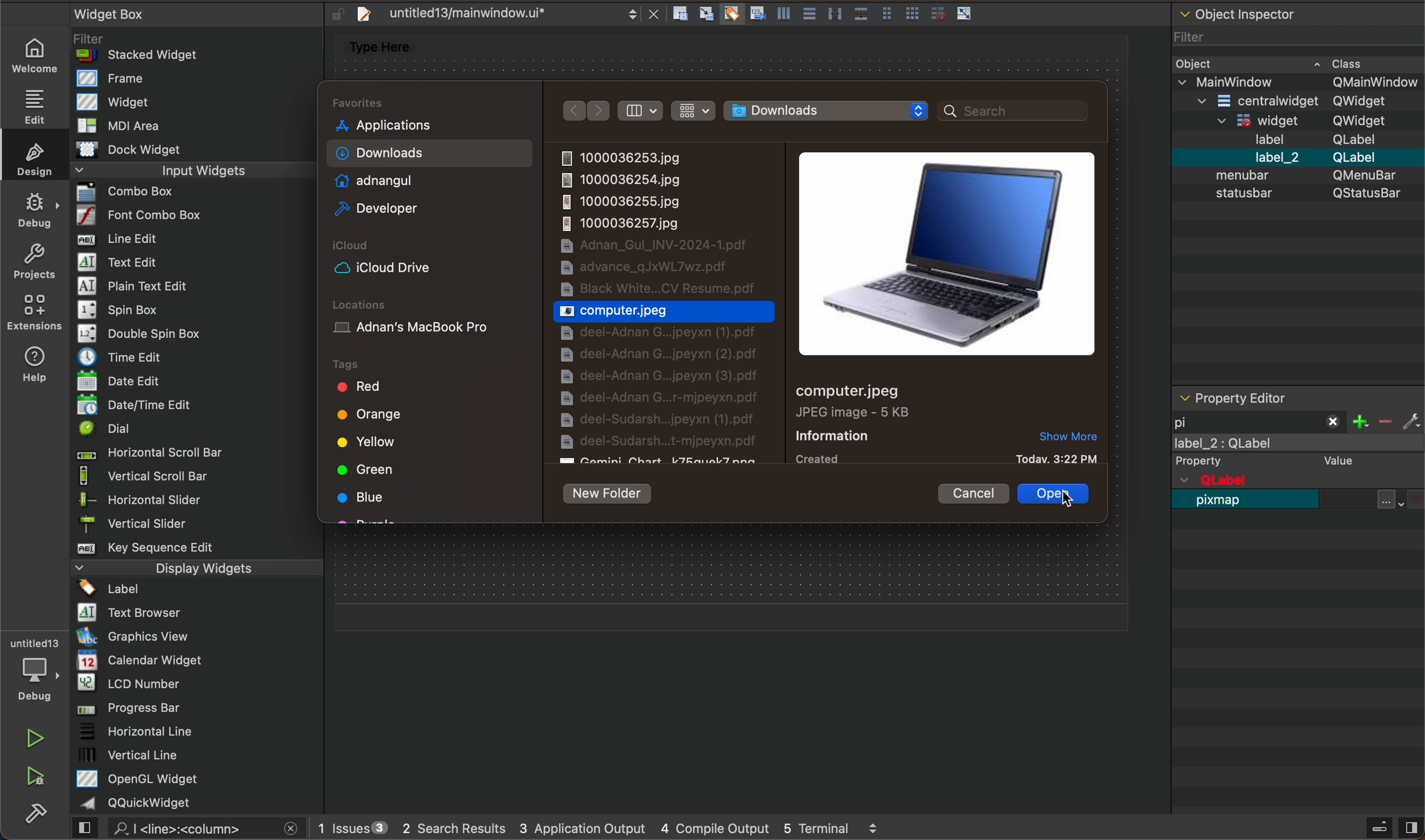 The width and height of the screenshot is (1425, 840). What do you see at coordinates (667, 311) in the screenshot?
I see `selected file` at bounding box center [667, 311].